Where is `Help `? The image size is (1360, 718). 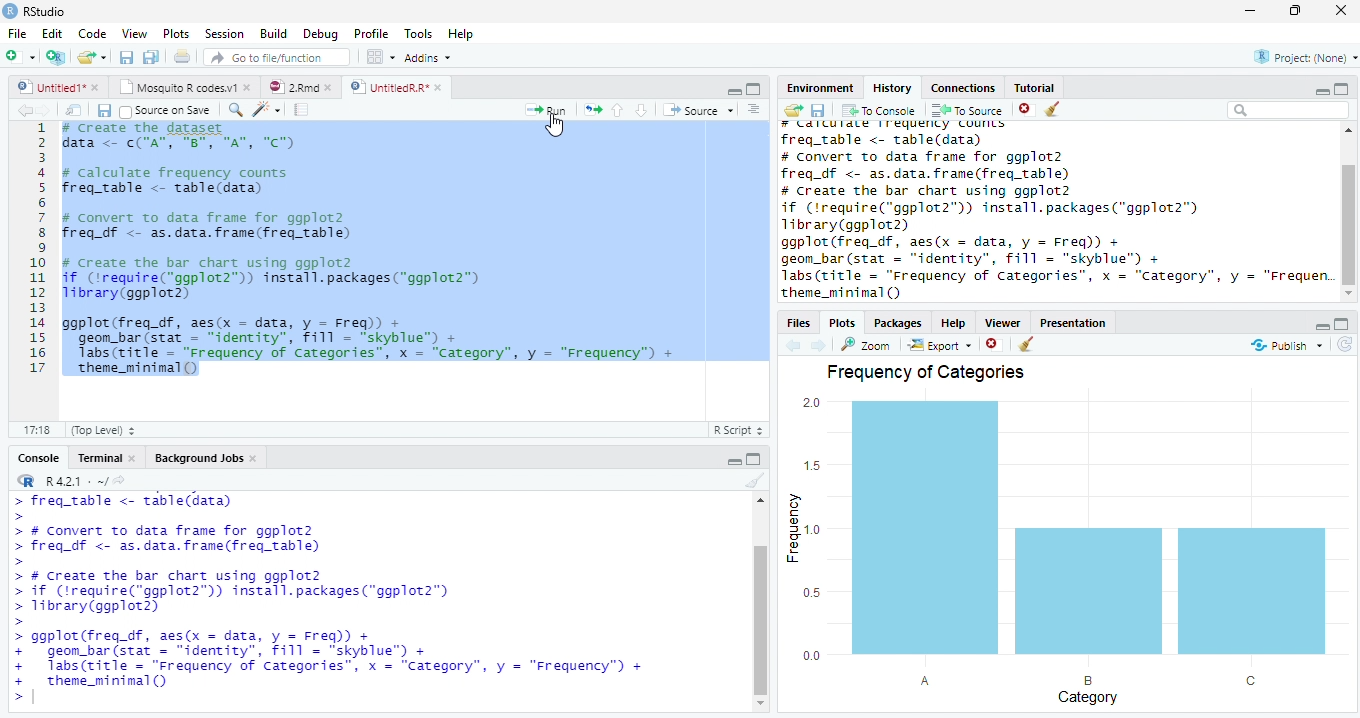
Help  is located at coordinates (959, 324).